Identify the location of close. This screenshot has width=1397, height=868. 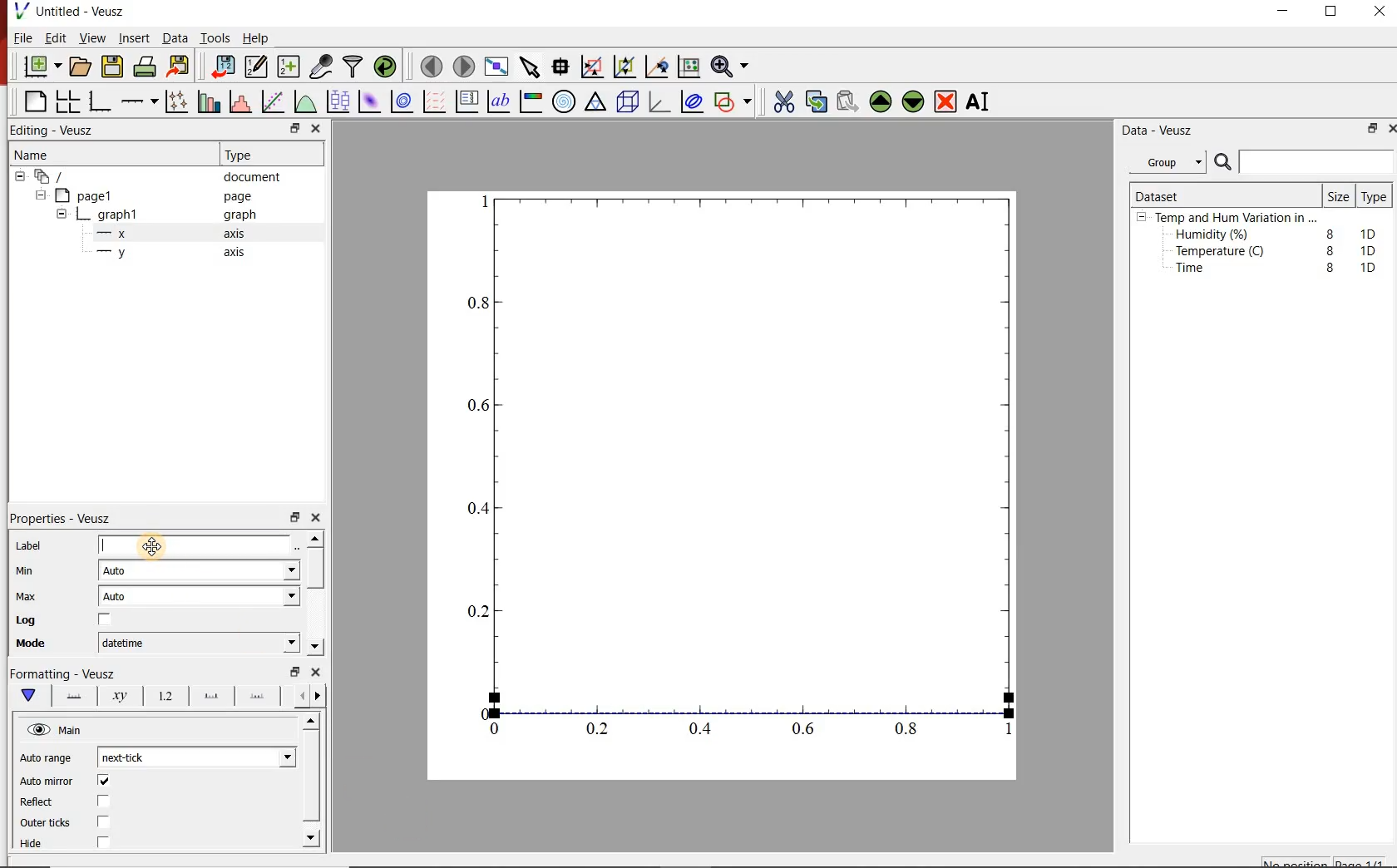
(1389, 128).